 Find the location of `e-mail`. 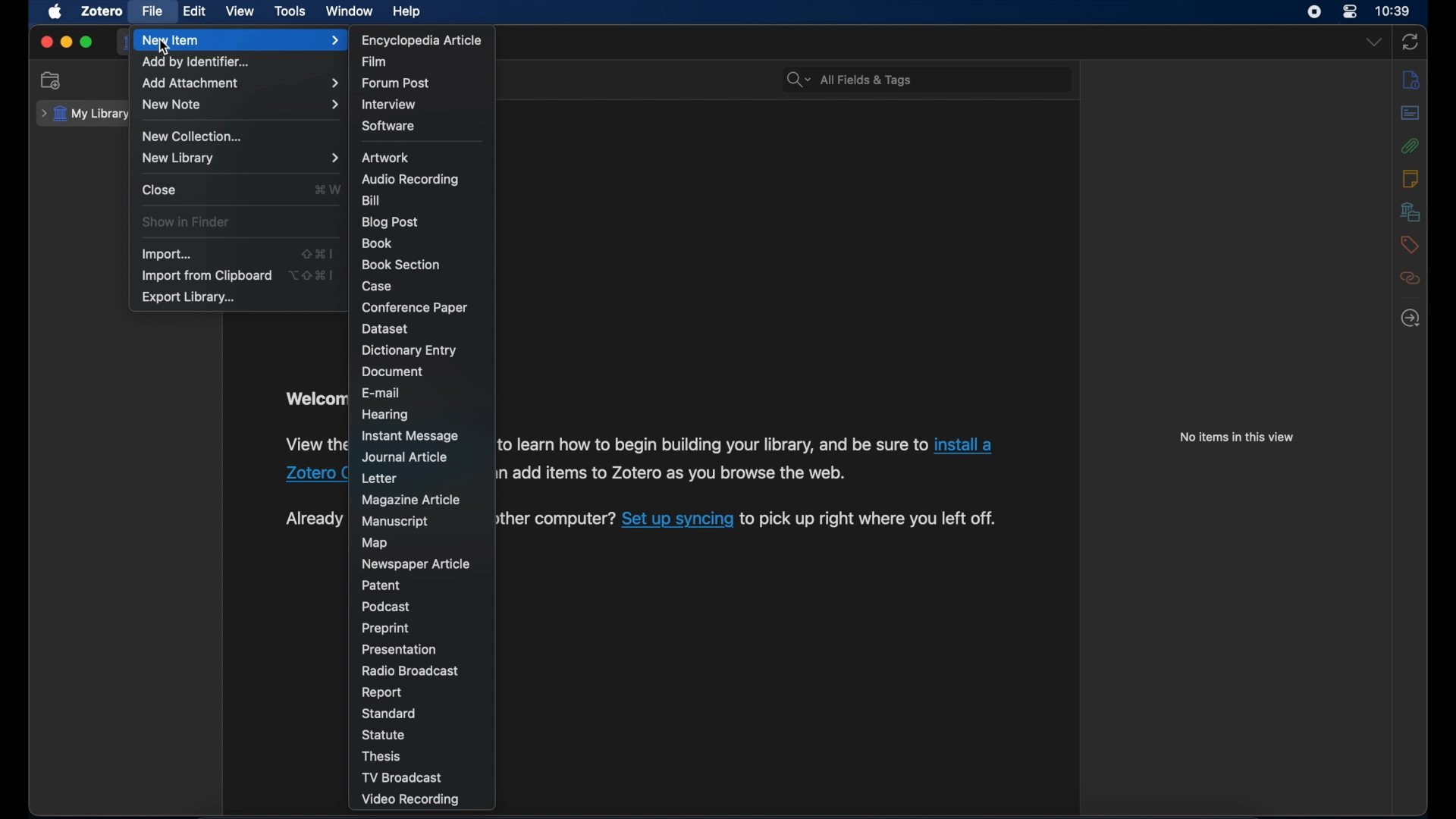

e-mail is located at coordinates (381, 392).